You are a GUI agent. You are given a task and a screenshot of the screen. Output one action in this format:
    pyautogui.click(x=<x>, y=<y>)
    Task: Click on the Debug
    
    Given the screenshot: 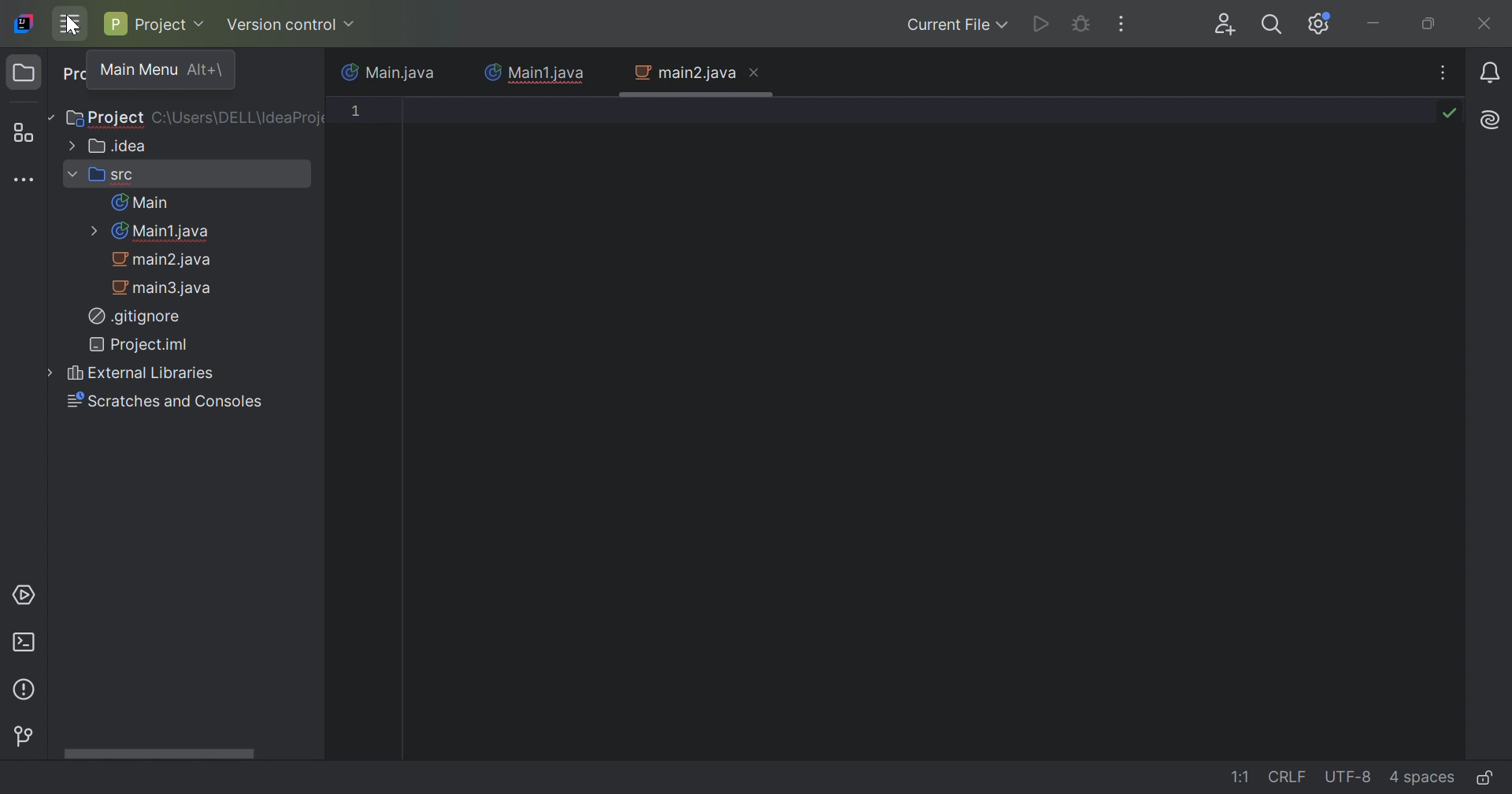 What is the action you would take?
    pyautogui.click(x=1082, y=21)
    